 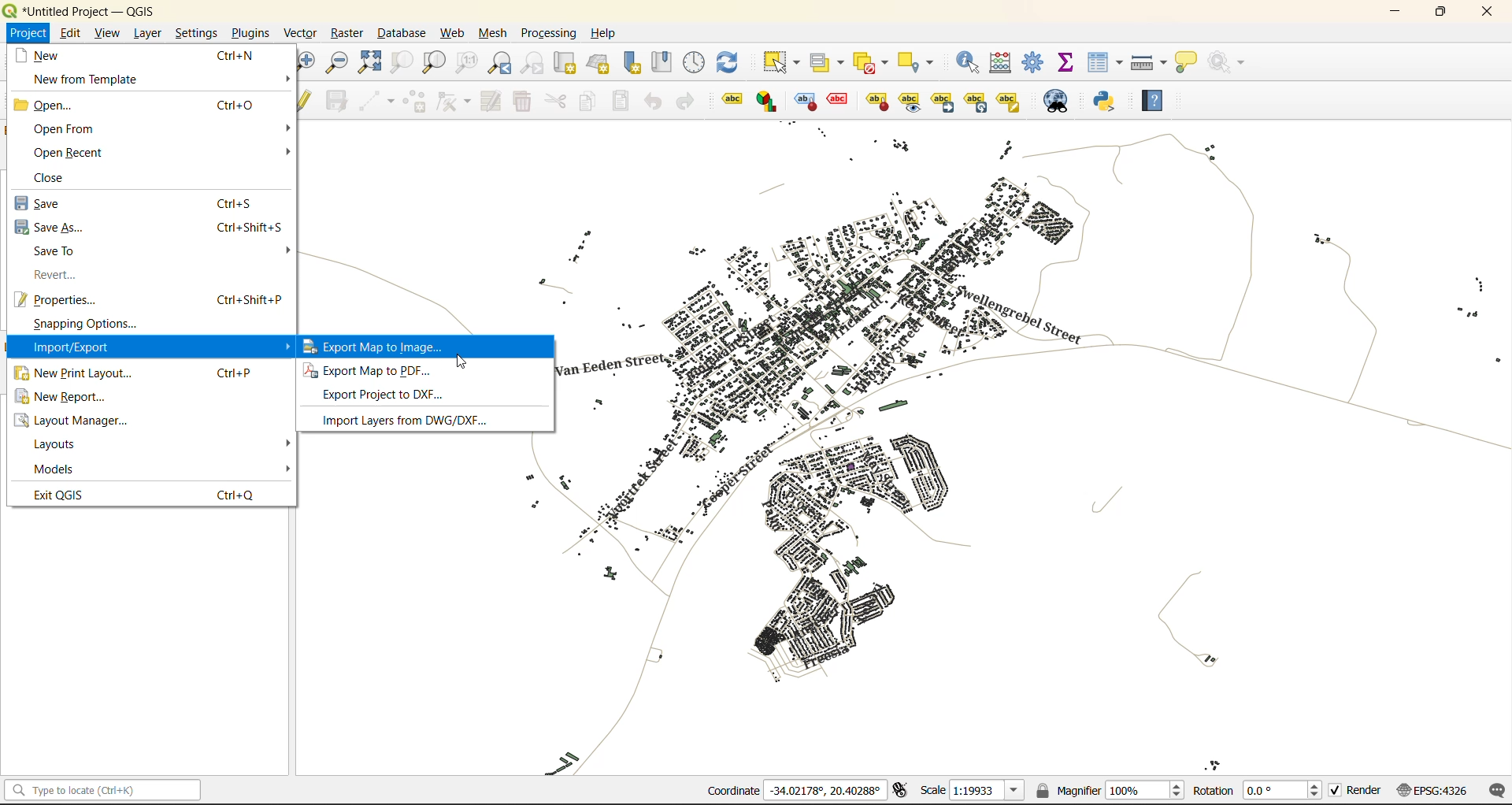 I want to click on toggle extents, so click(x=899, y=791).